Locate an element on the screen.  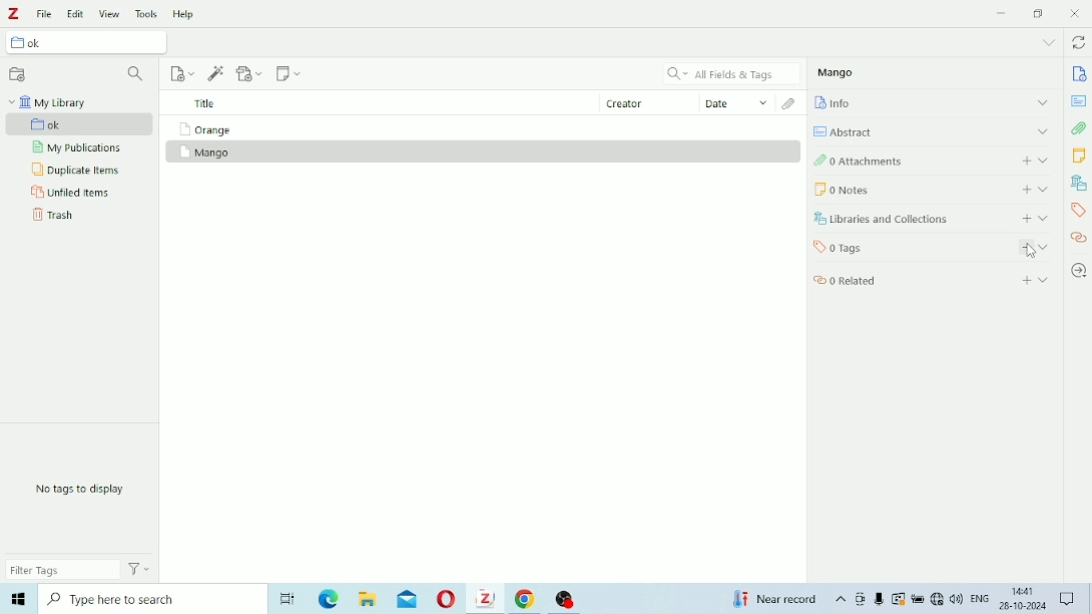
Help is located at coordinates (184, 14).